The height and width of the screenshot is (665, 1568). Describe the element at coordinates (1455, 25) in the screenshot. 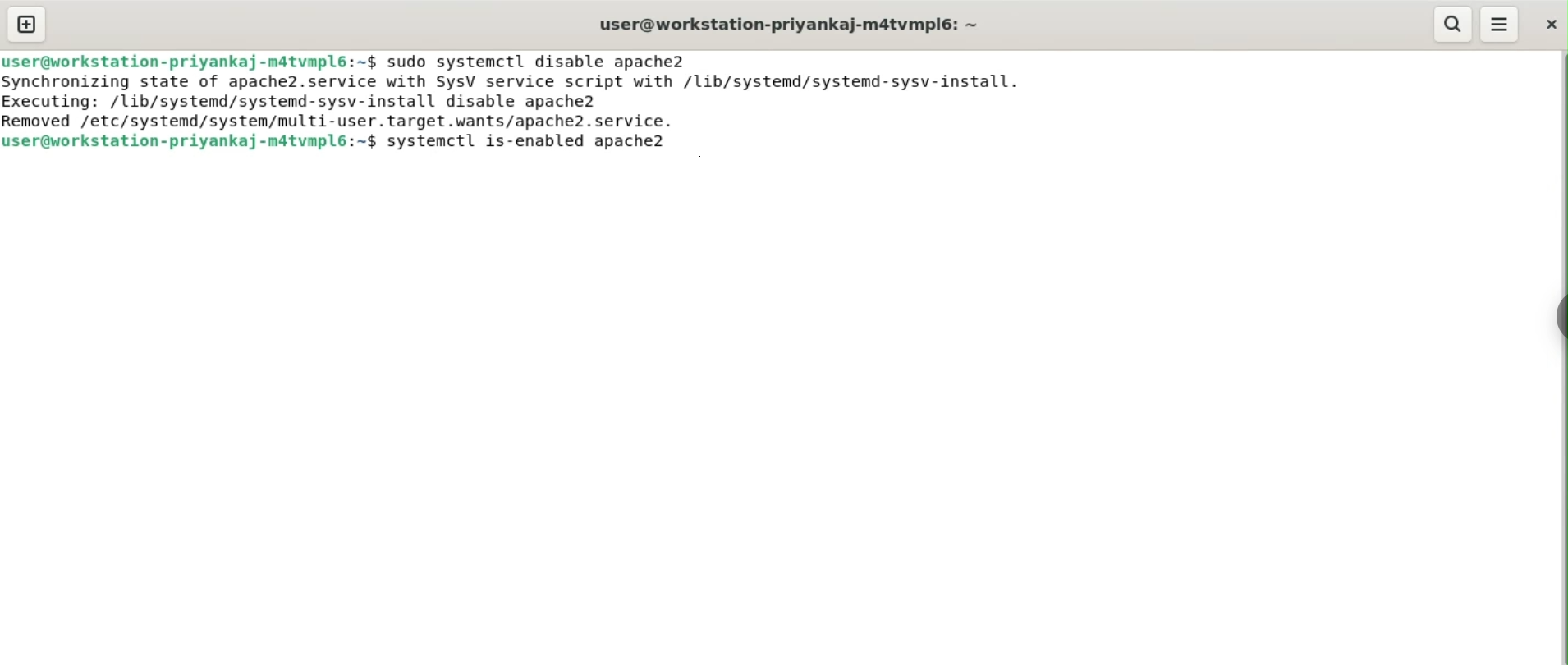

I see `search` at that location.